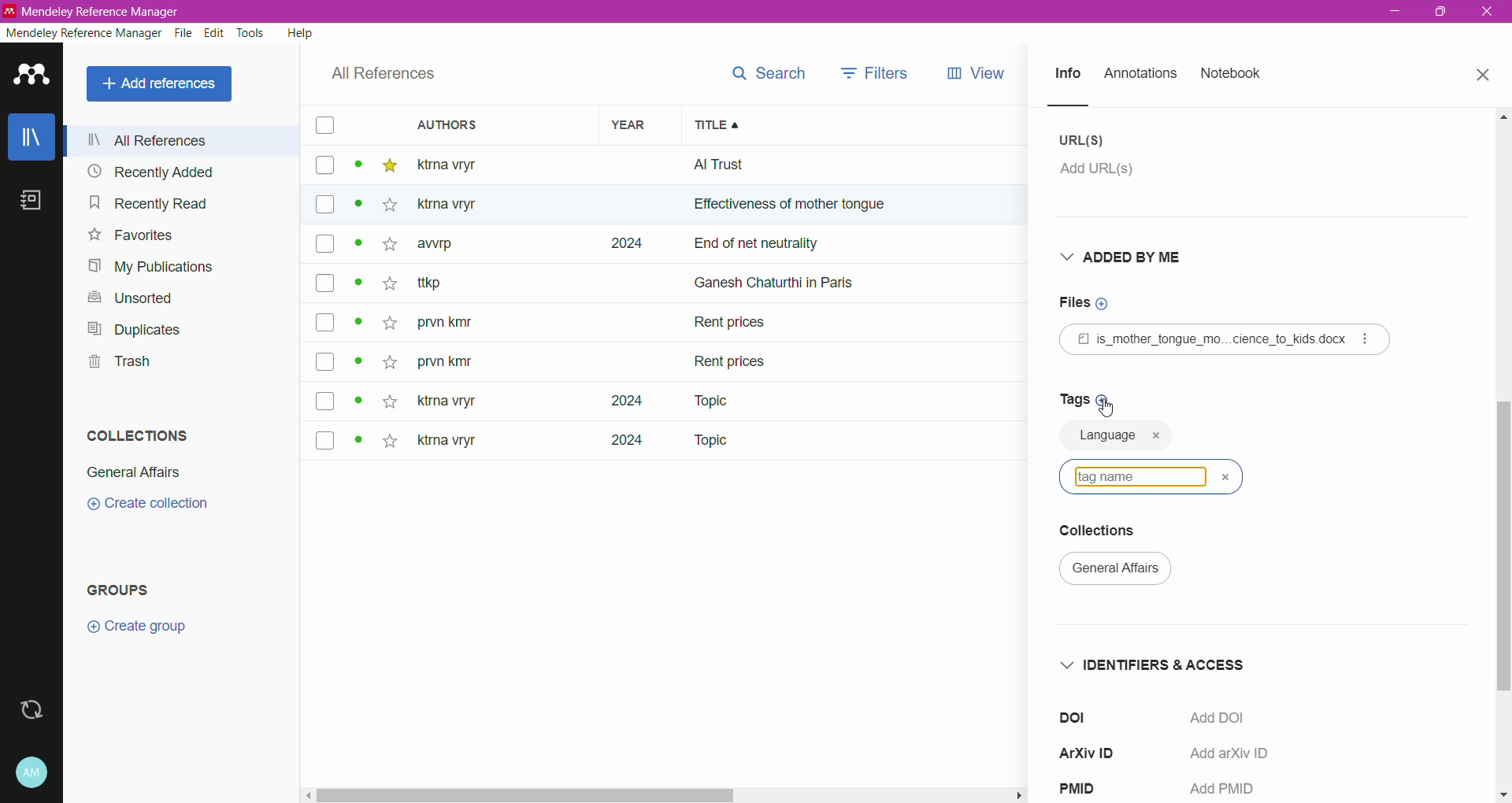  What do you see at coordinates (863, 125) in the screenshot?
I see `Title` at bounding box center [863, 125].